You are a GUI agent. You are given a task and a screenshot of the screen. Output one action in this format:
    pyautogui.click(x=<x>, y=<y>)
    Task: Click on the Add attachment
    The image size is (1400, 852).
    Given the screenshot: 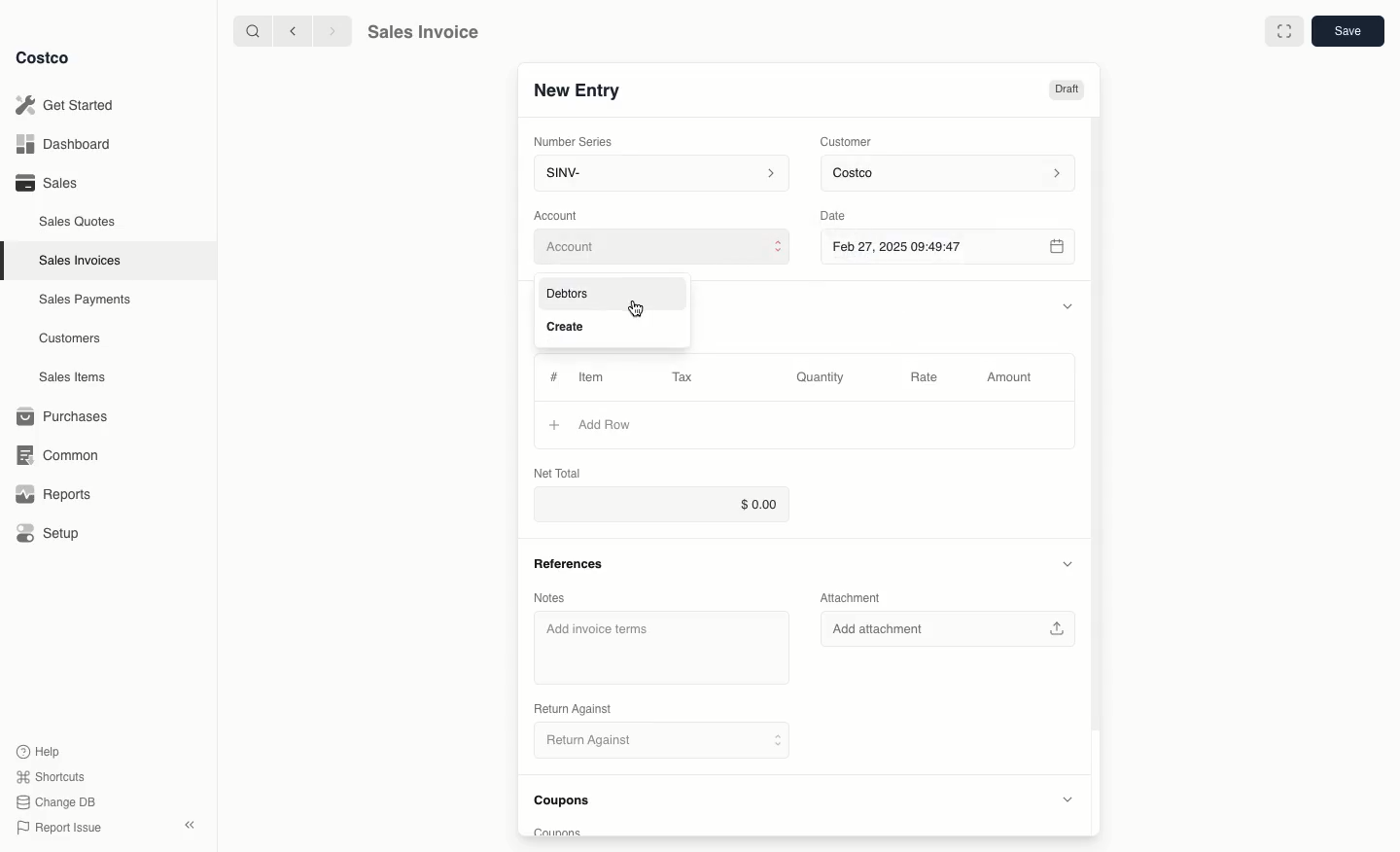 What is the action you would take?
    pyautogui.click(x=953, y=629)
    